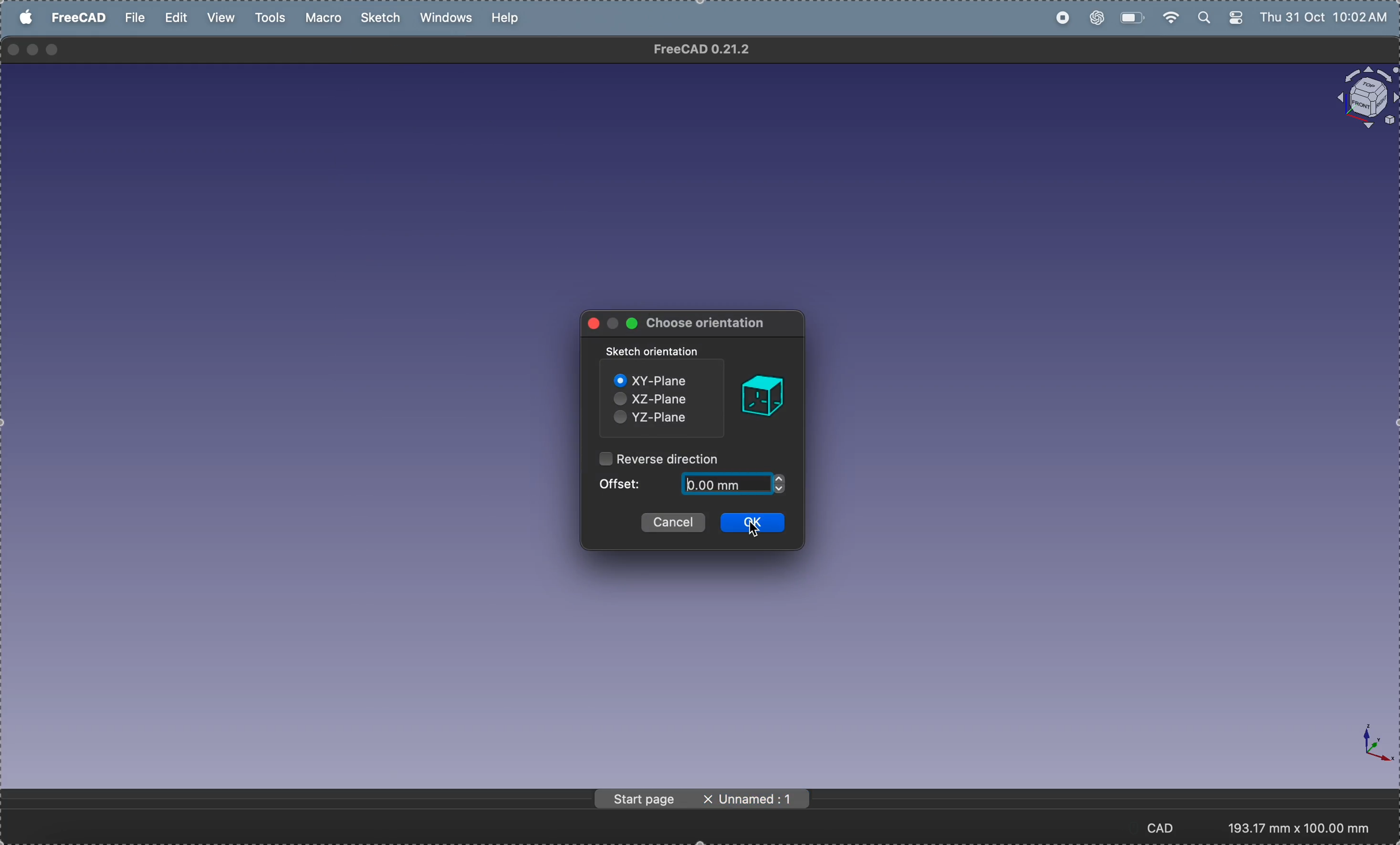 The width and height of the screenshot is (1400, 845). I want to click on offset, so click(624, 483).